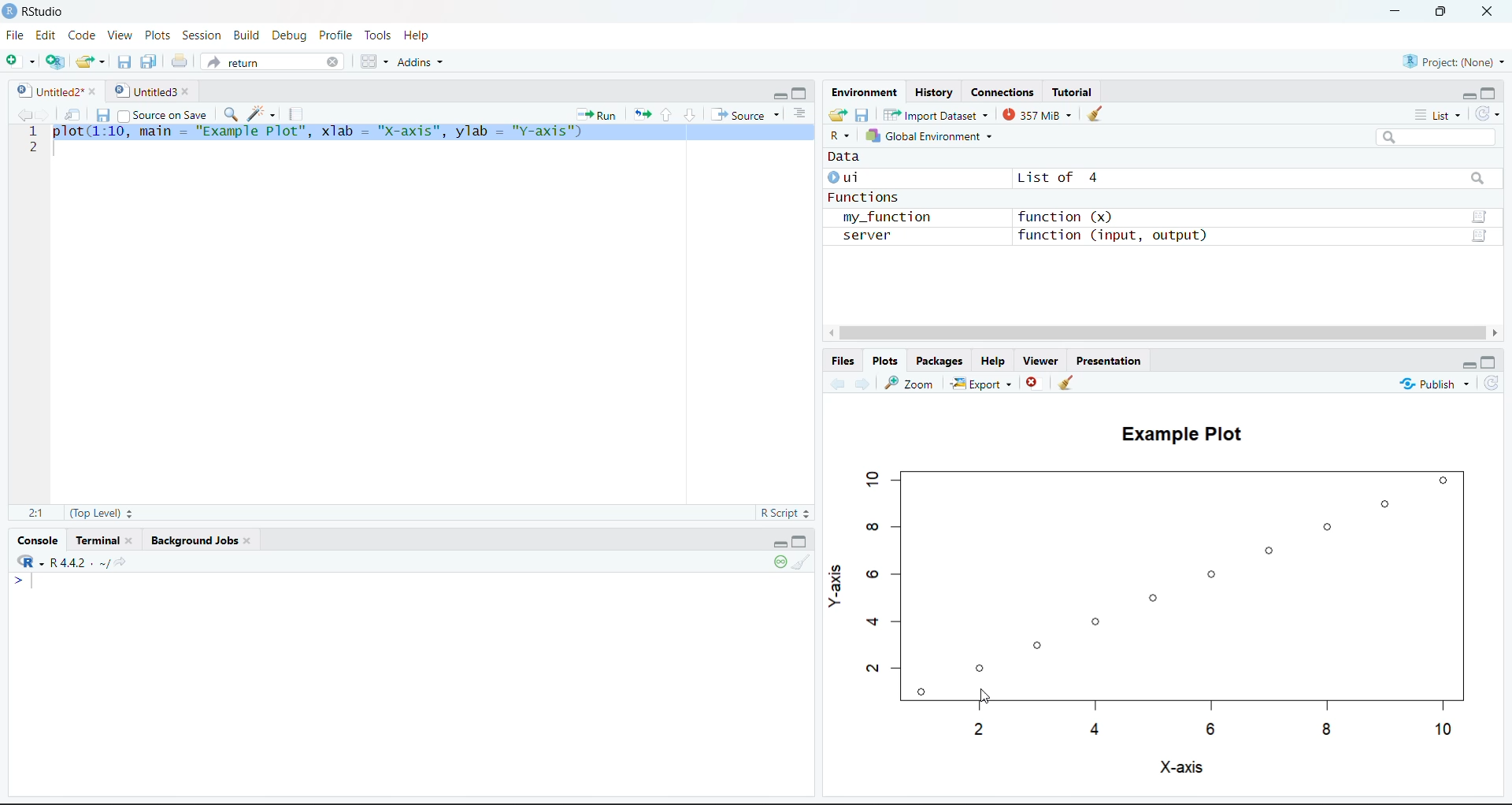 The image size is (1512, 805). I want to click on Plot, so click(1167, 600).